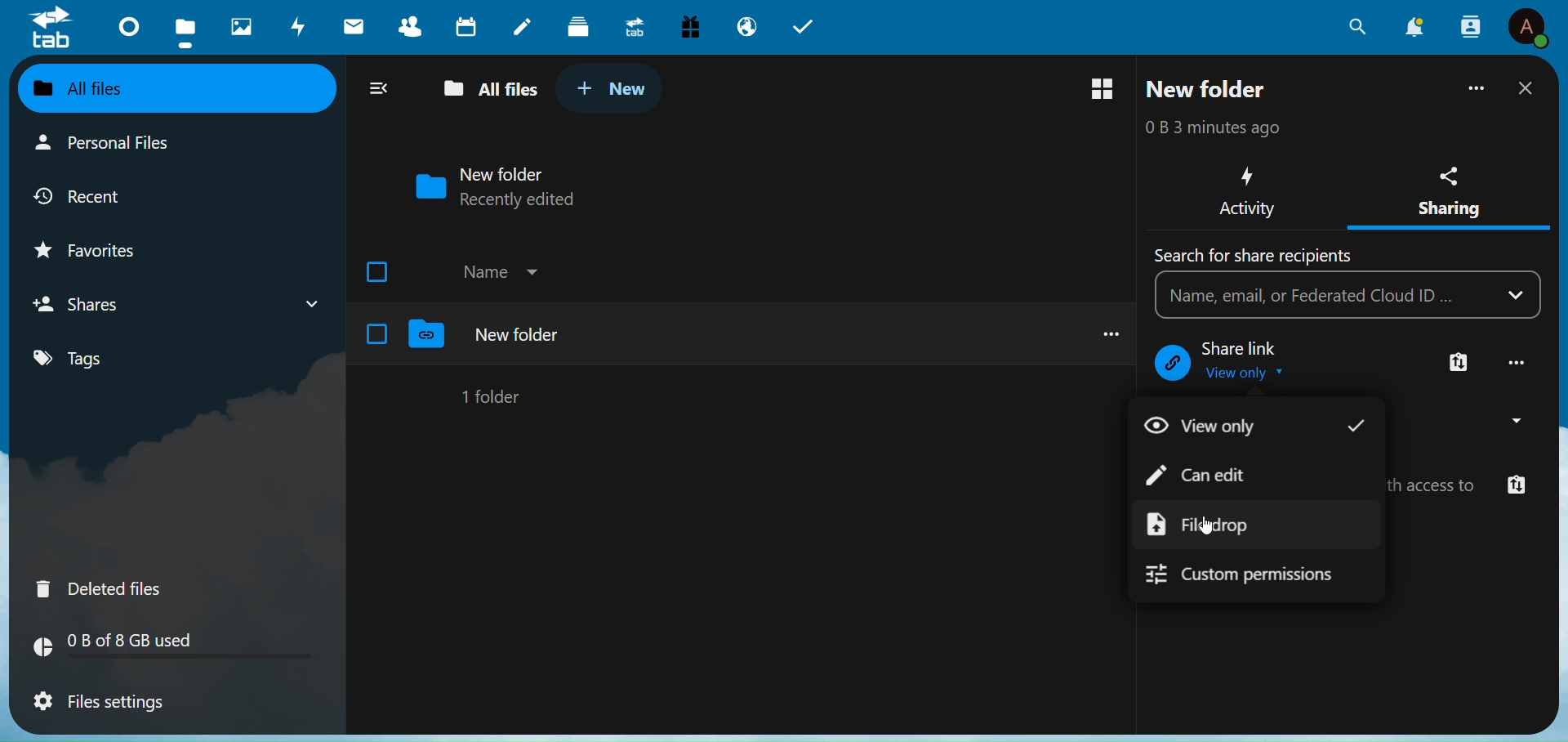 The width and height of the screenshot is (1568, 742). I want to click on custome, so click(1259, 579).